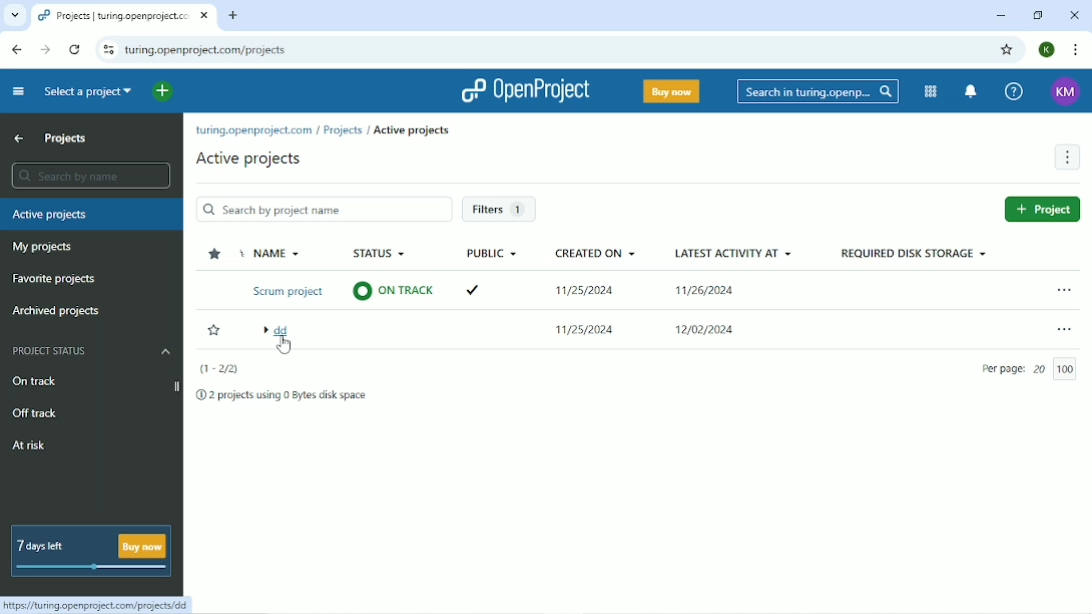  Describe the element at coordinates (86, 93) in the screenshot. I see `Select a project` at that location.